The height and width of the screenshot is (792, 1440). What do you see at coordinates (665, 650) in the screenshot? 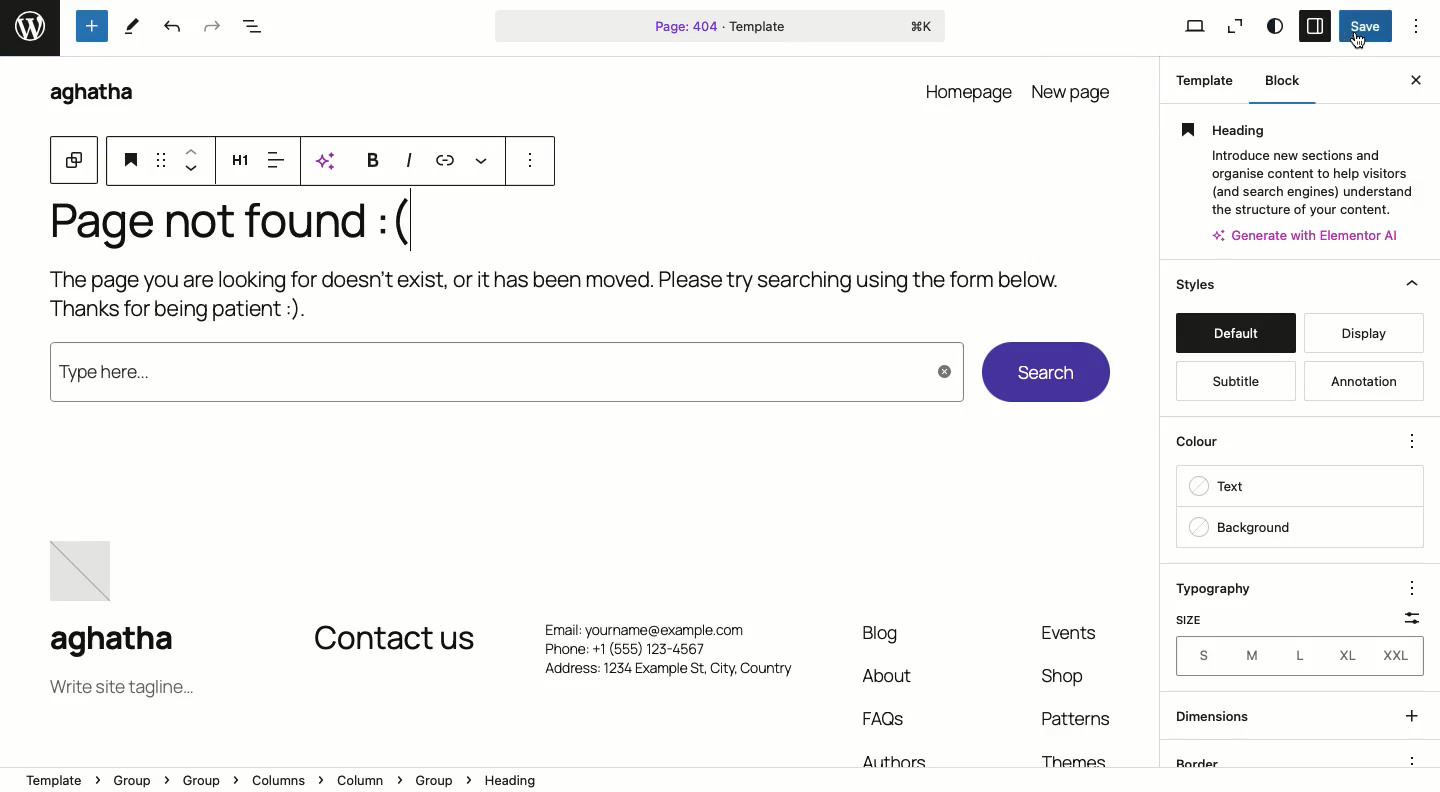
I see `Phone: +1 (555) 123-4567` at bounding box center [665, 650].